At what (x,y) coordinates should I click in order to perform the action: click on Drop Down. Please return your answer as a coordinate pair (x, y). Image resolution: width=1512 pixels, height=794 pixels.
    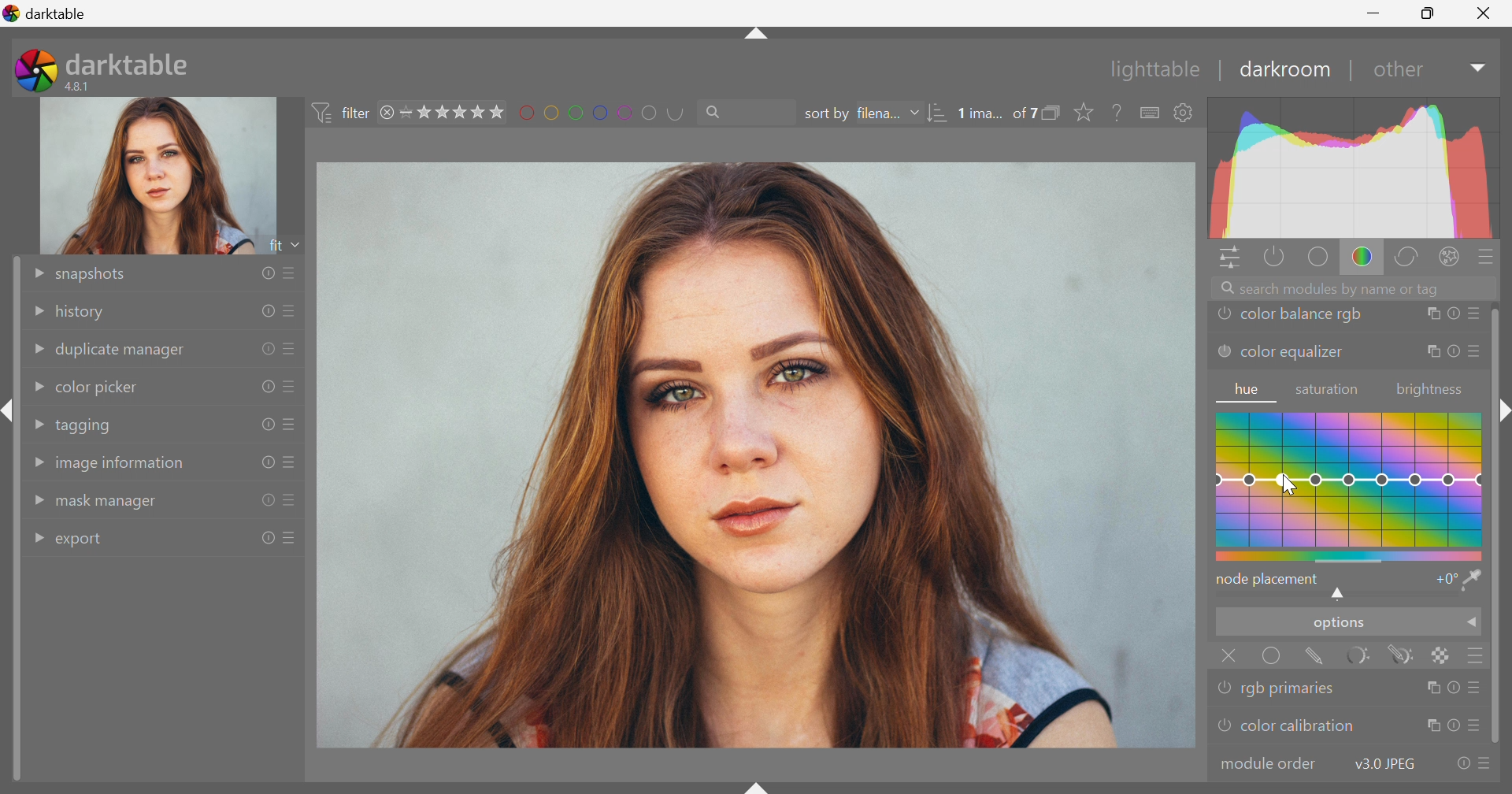
    Looking at the image, I should click on (914, 113).